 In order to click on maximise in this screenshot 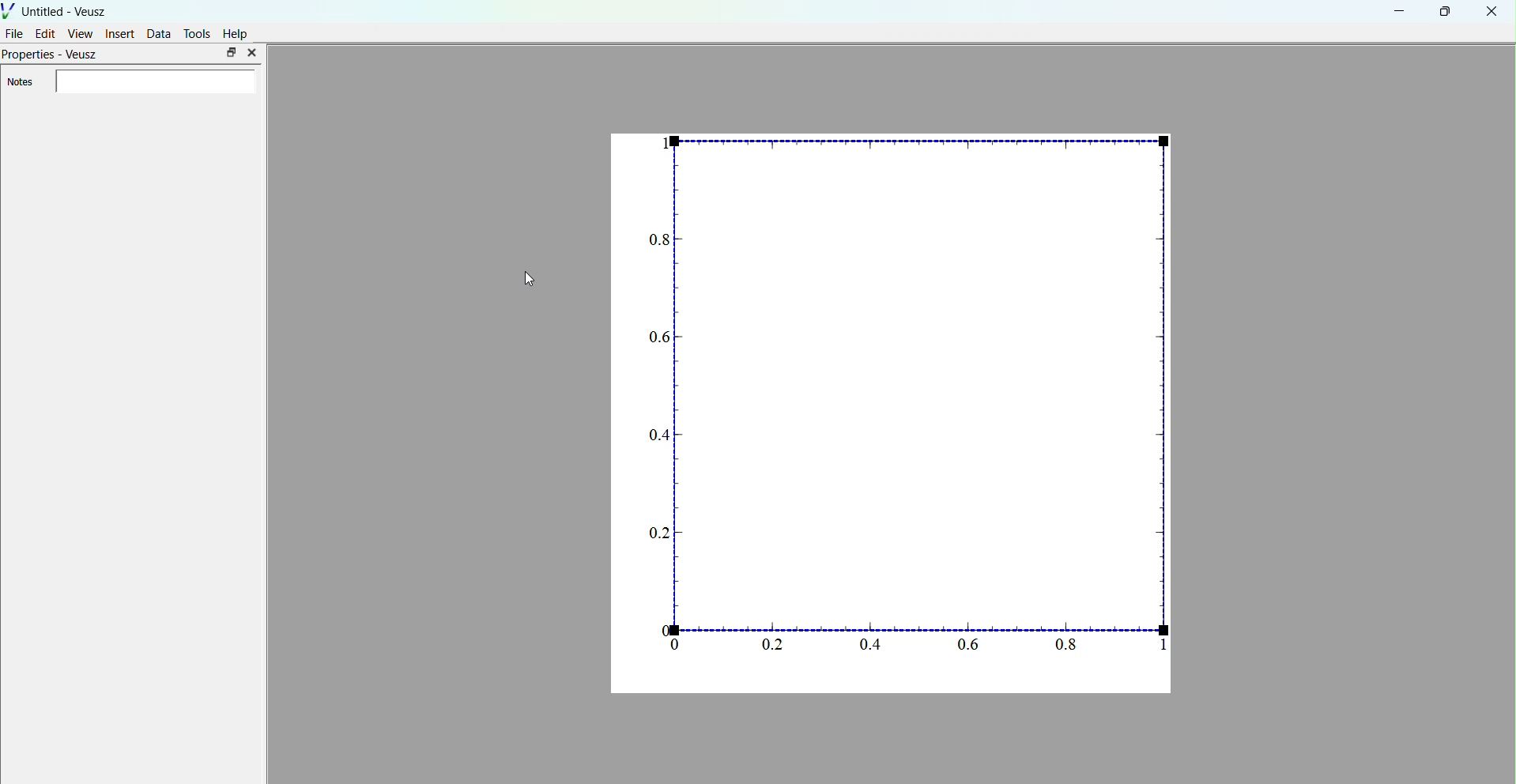, I will do `click(1442, 11)`.